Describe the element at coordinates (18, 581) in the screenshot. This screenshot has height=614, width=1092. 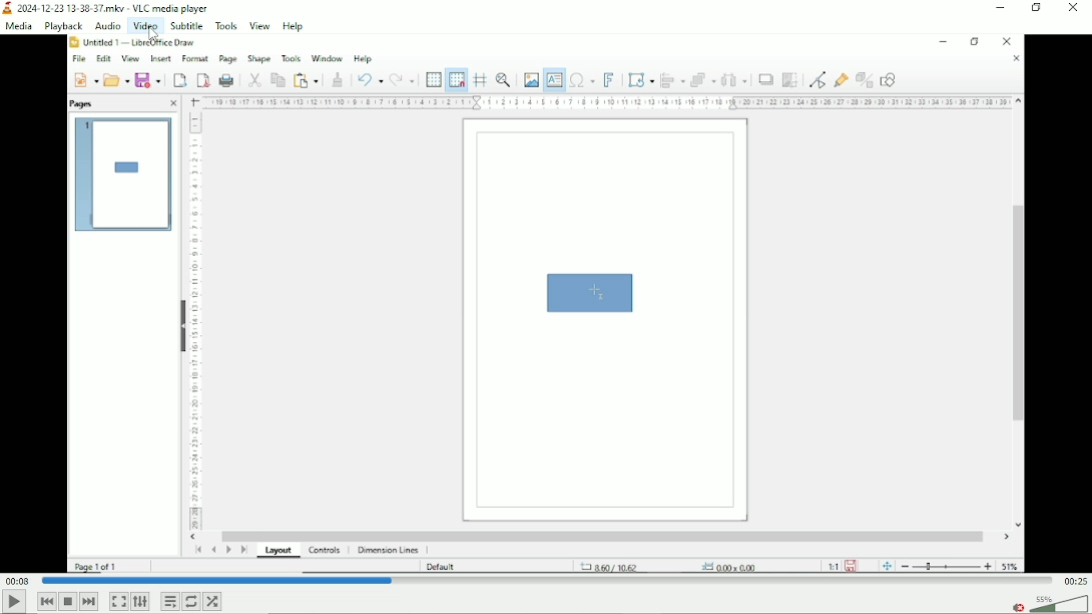
I see `Elapsed time` at that location.